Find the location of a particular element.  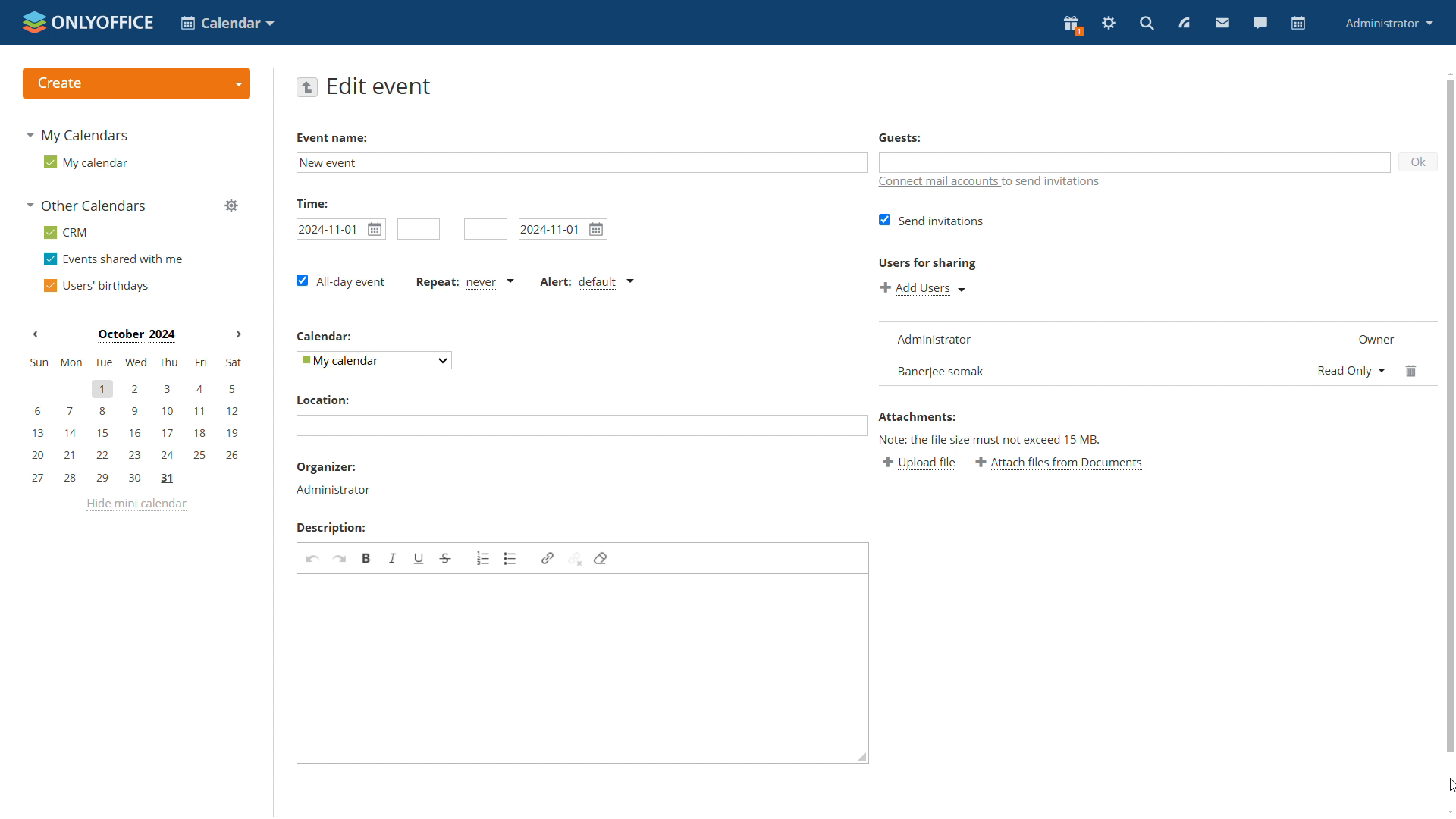

Users for sharing is located at coordinates (927, 264).